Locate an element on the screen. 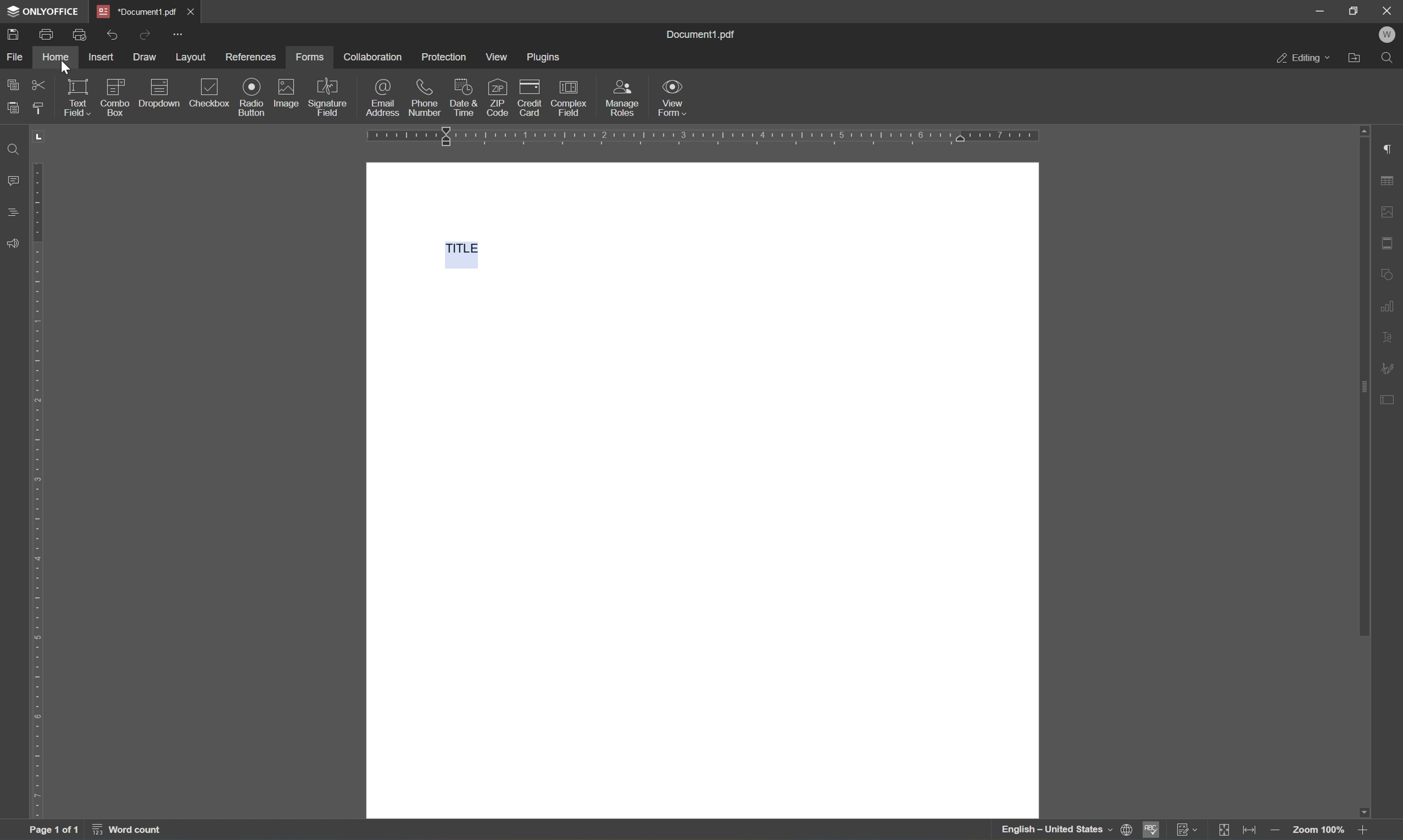  copy style is located at coordinates (38, 109).